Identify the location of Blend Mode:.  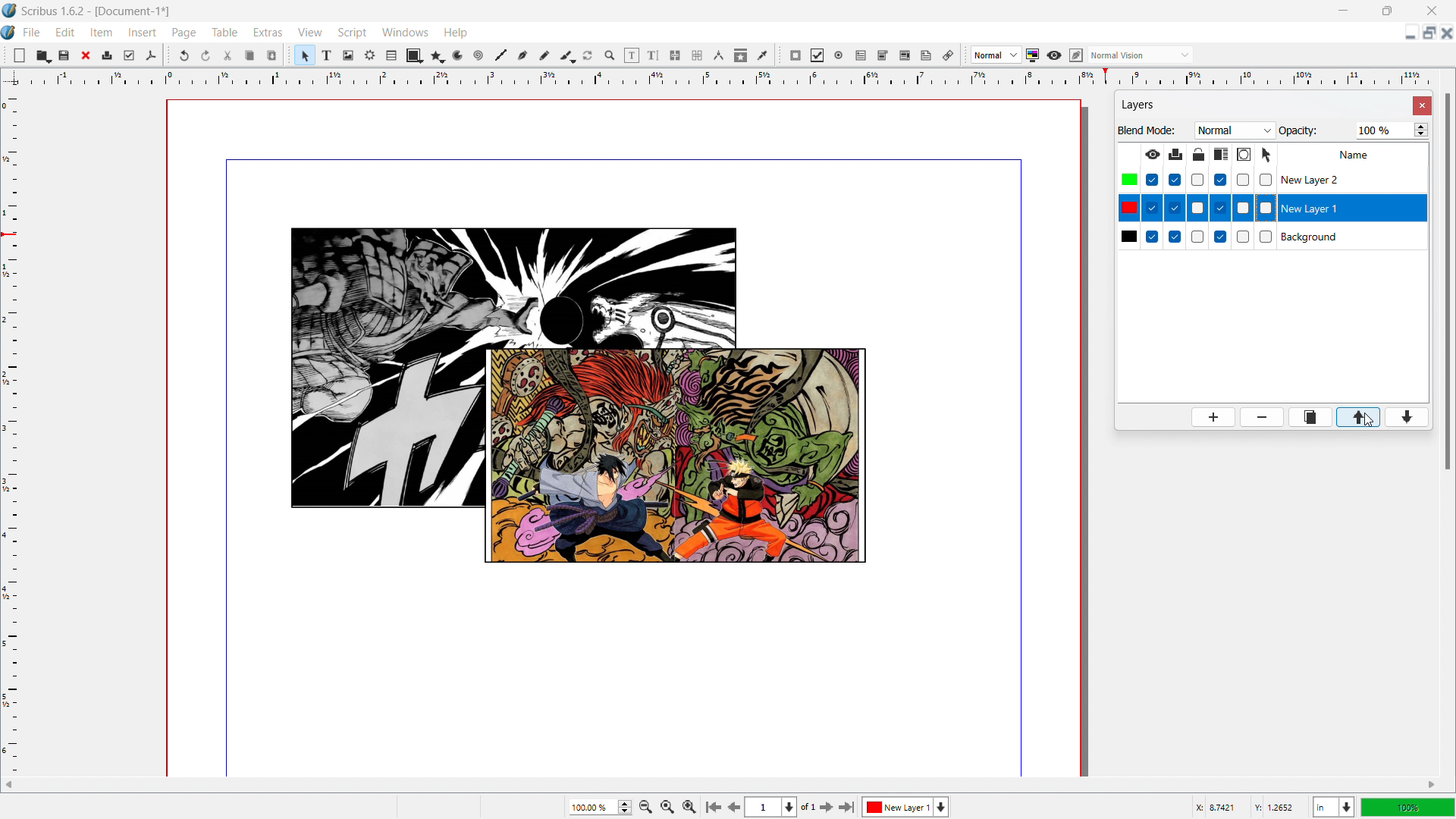
(1147, 130).